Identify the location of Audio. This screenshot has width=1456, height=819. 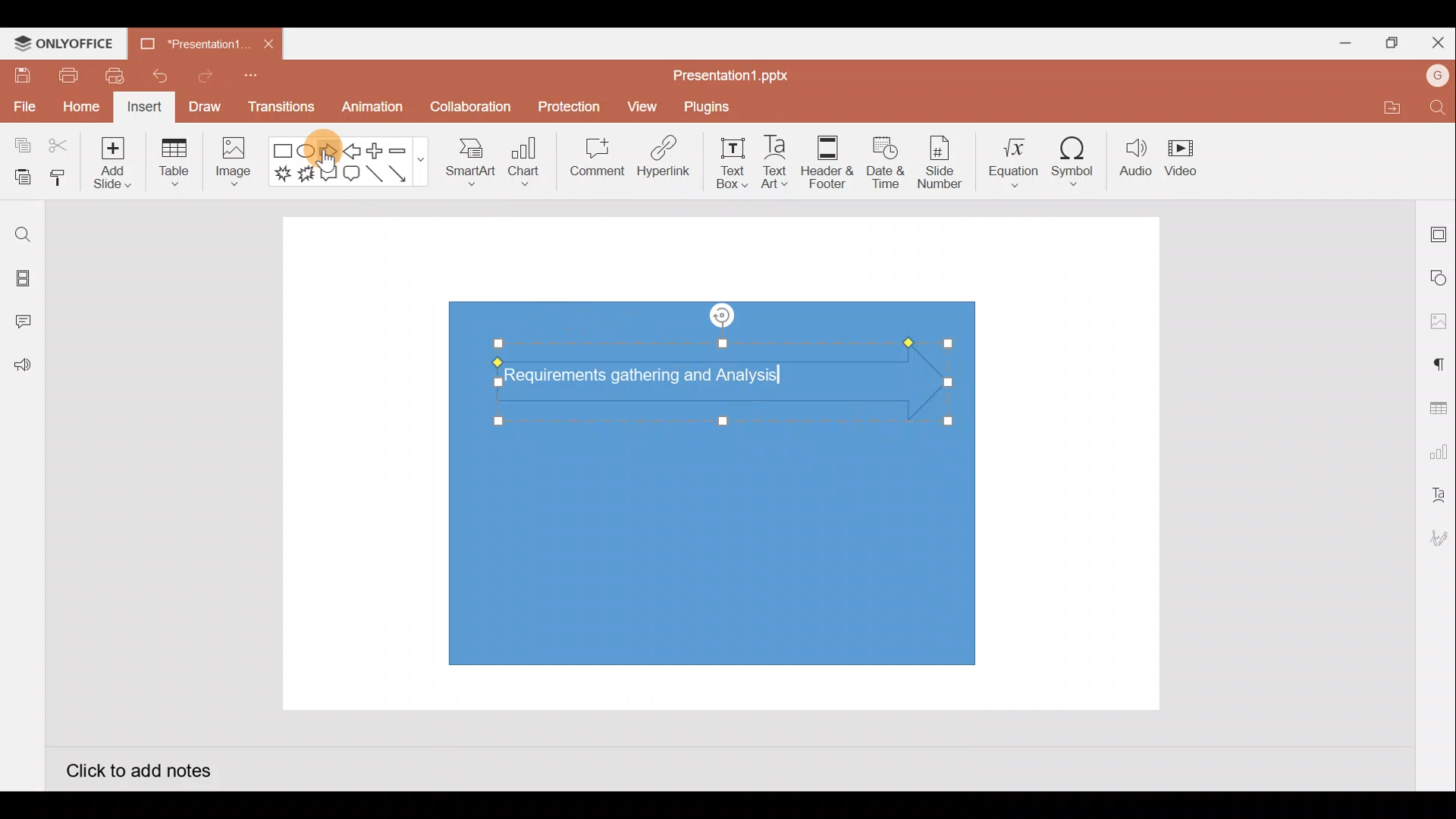
(1136, 158).